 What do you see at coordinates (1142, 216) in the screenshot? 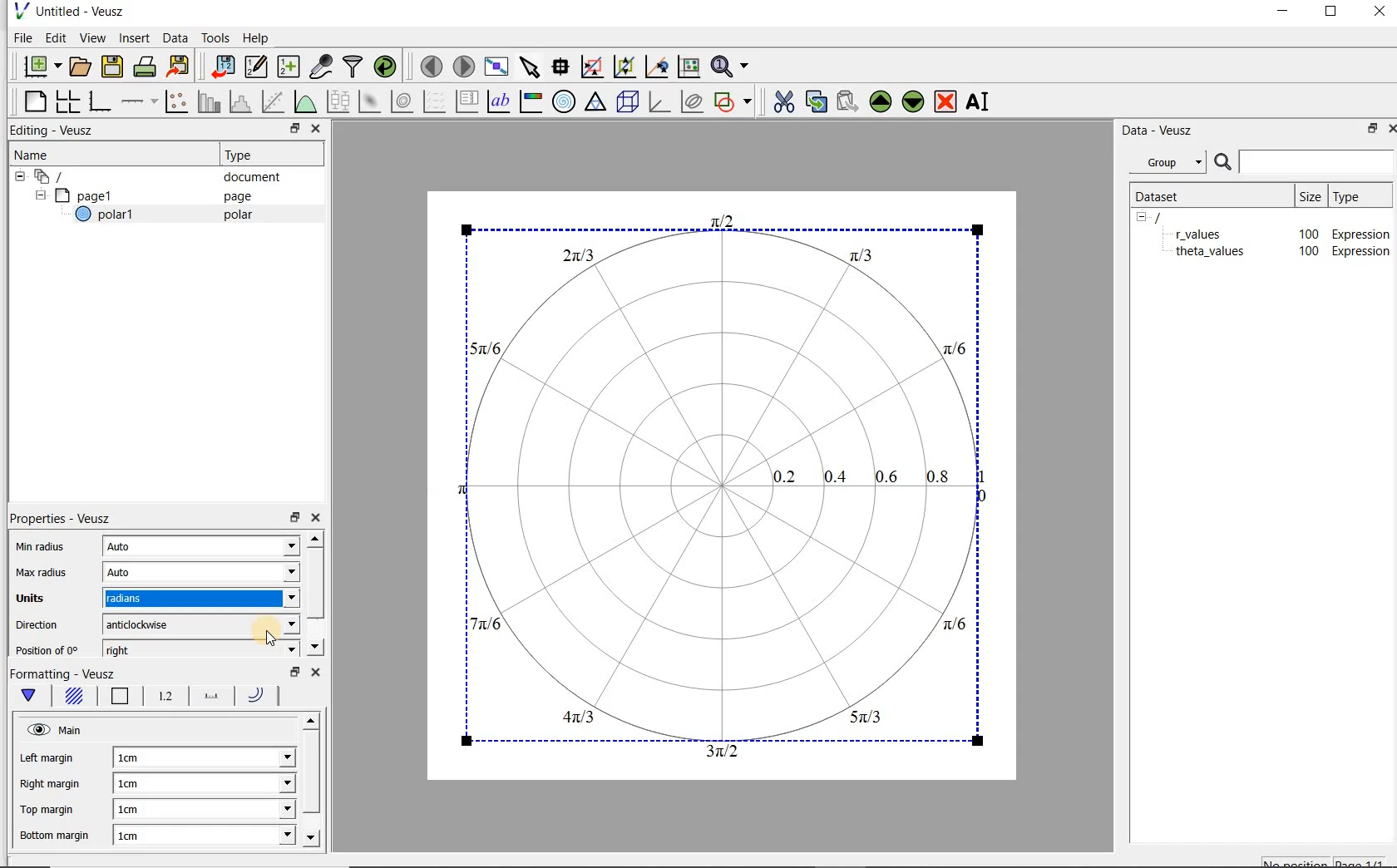
I see `hide sub menu` at bounding box center [1142, 216].